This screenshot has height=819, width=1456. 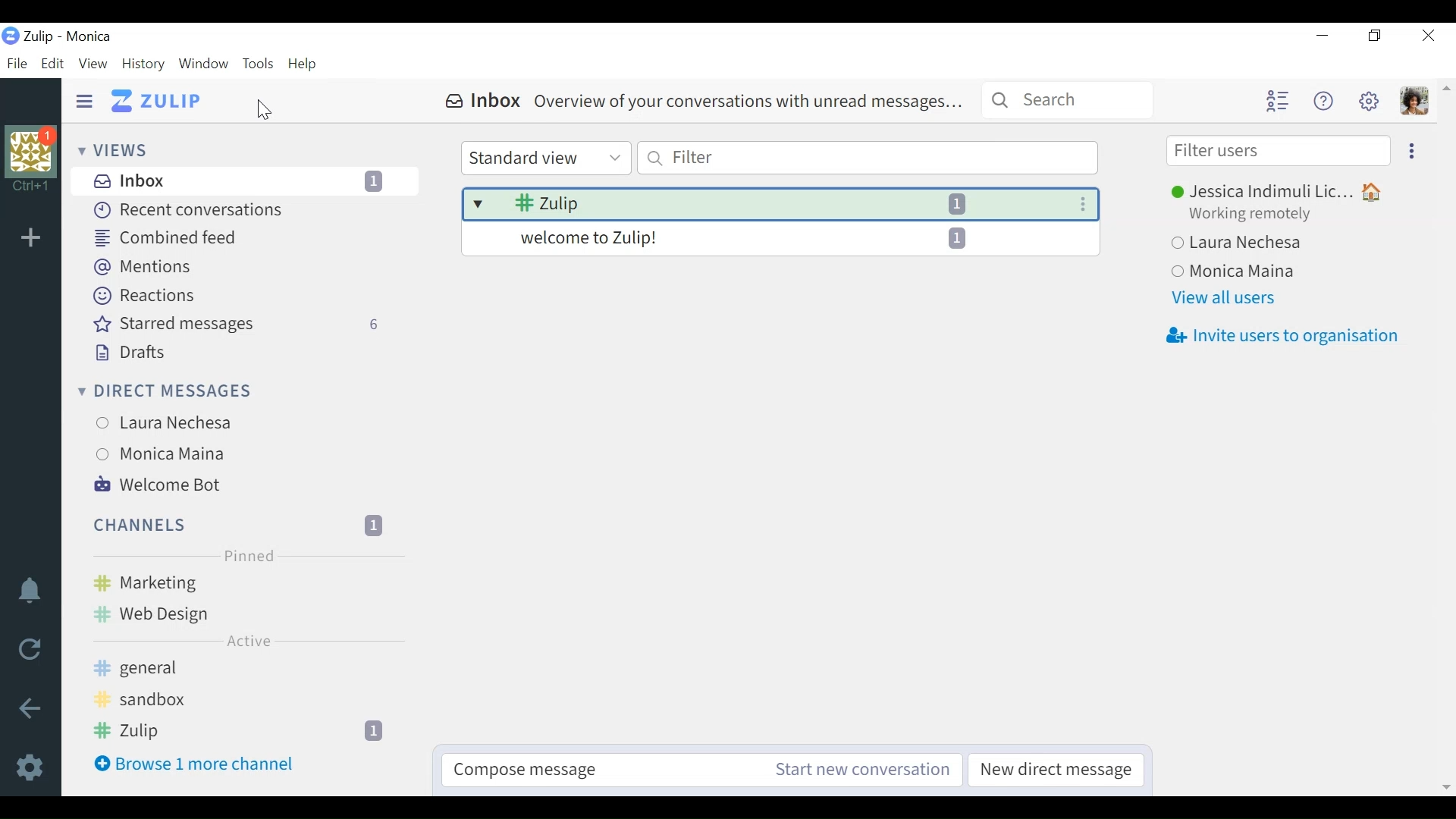 What do you see at coordinates (1321, 34) in the screenshot?
I see `minimize` at bounding box center [1321, 34].